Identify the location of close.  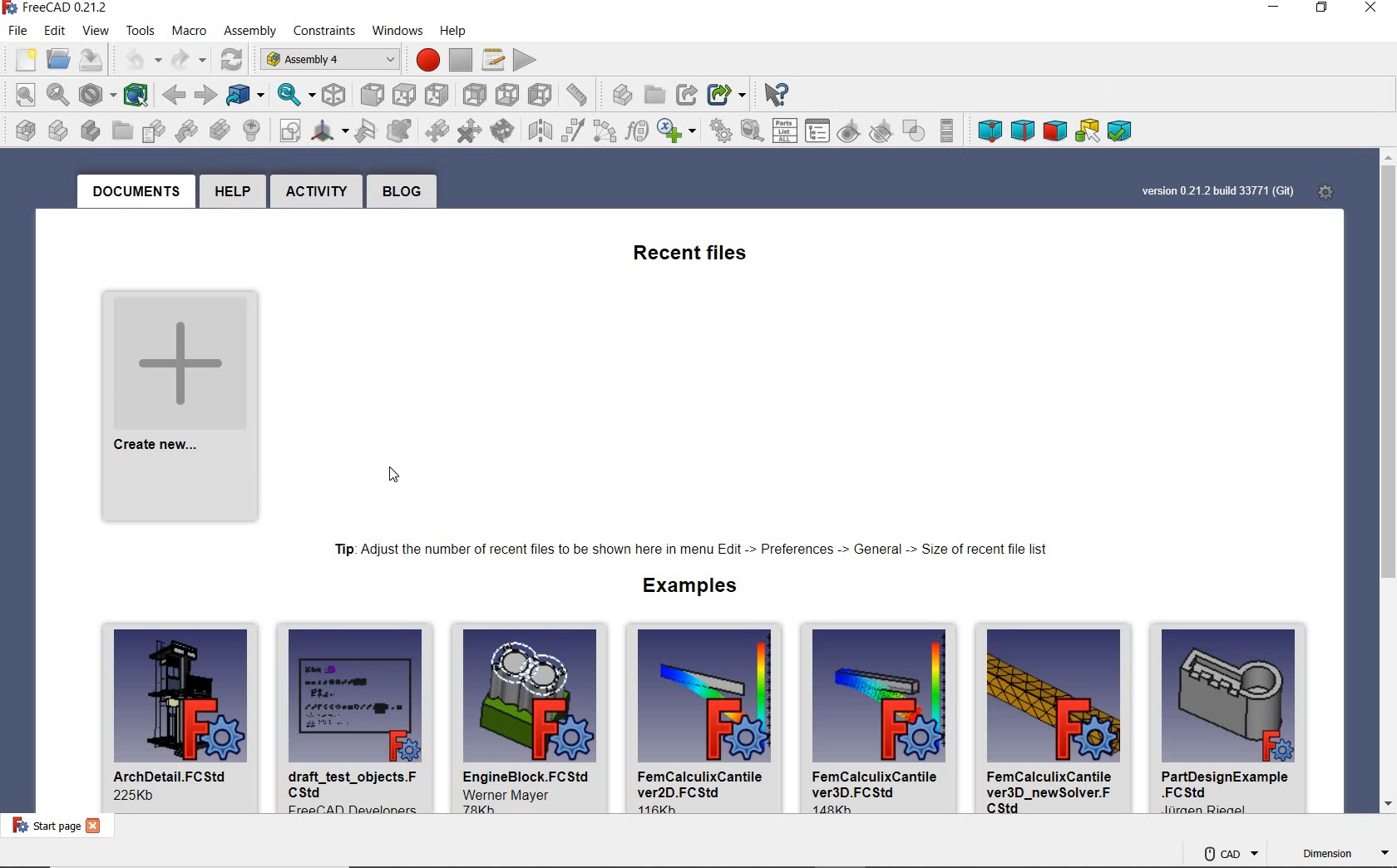
(1374, 8).